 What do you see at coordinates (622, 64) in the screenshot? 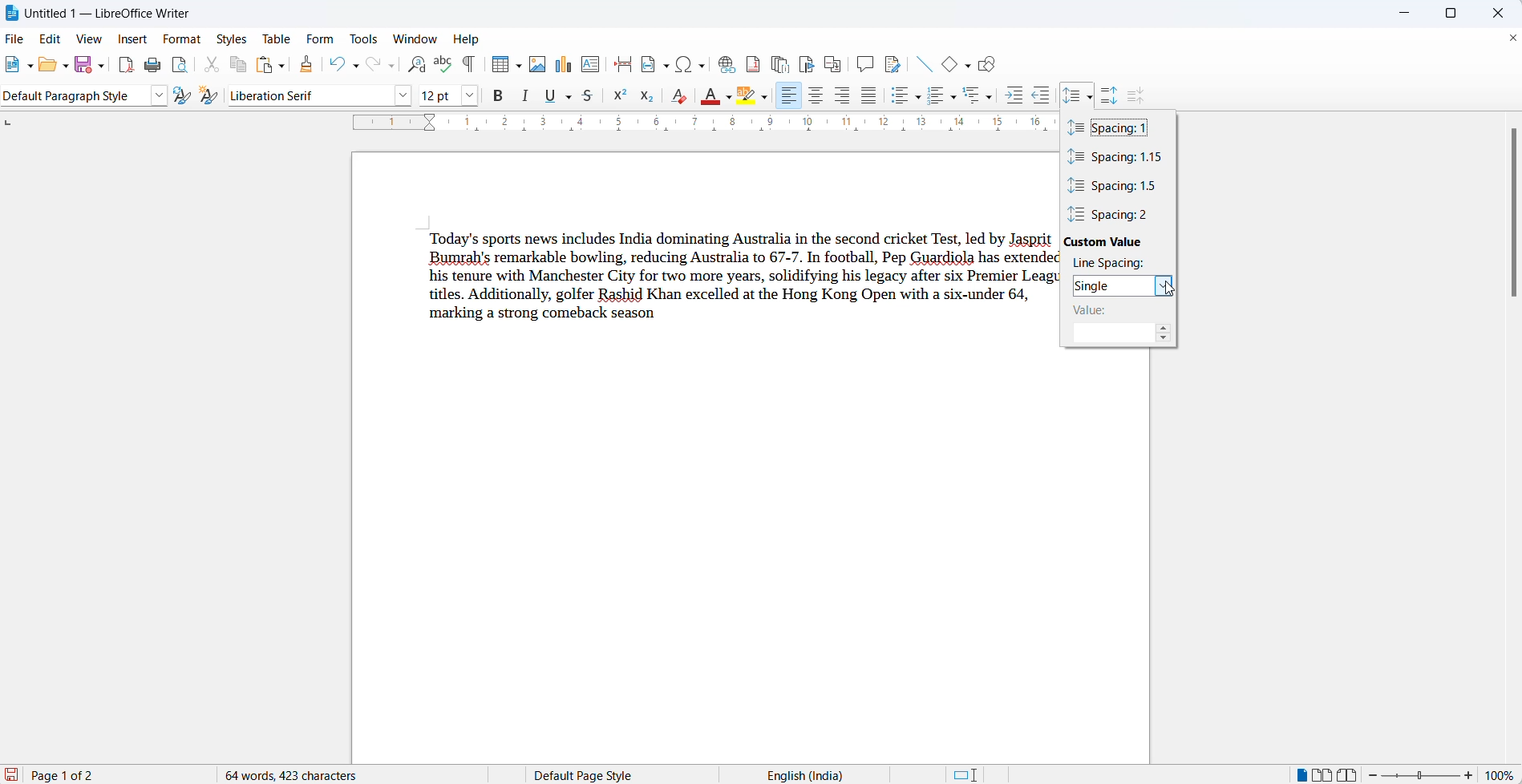
I see `page break` at bounding box center [622, 64].